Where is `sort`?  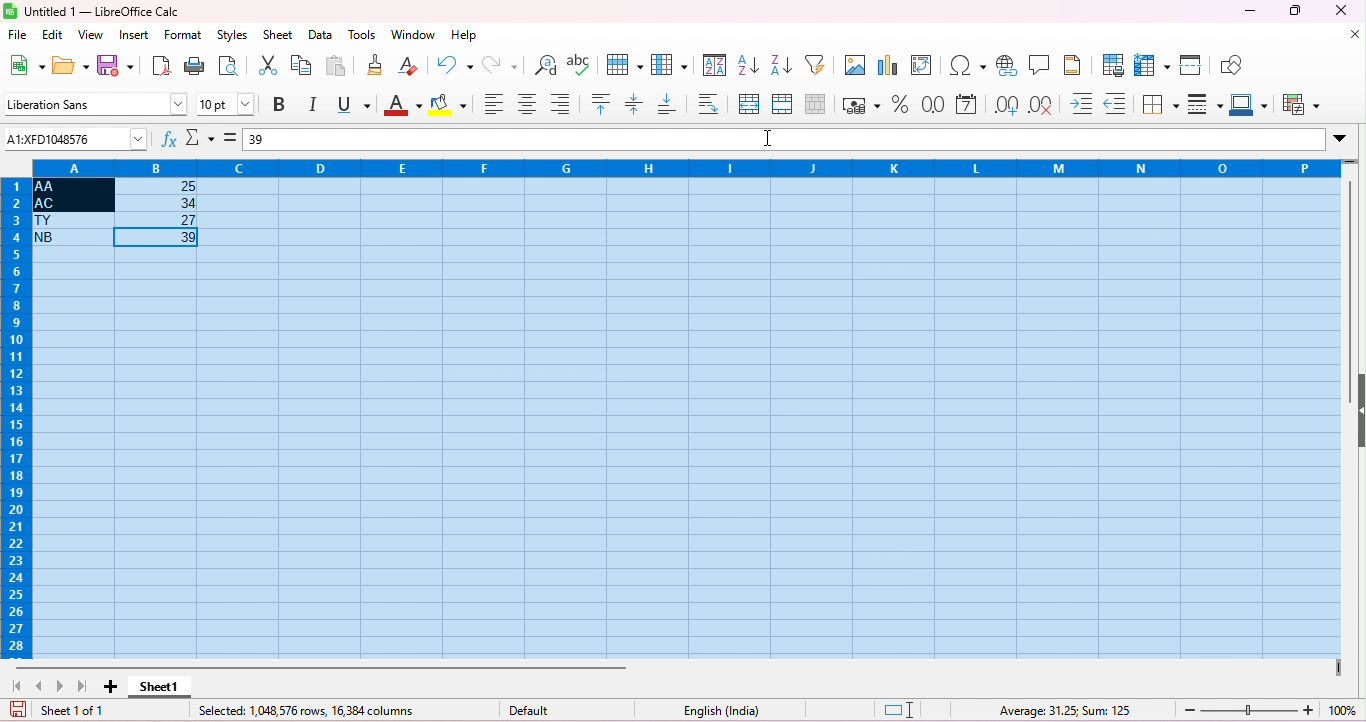
sort is located at coordinates (715, 65).